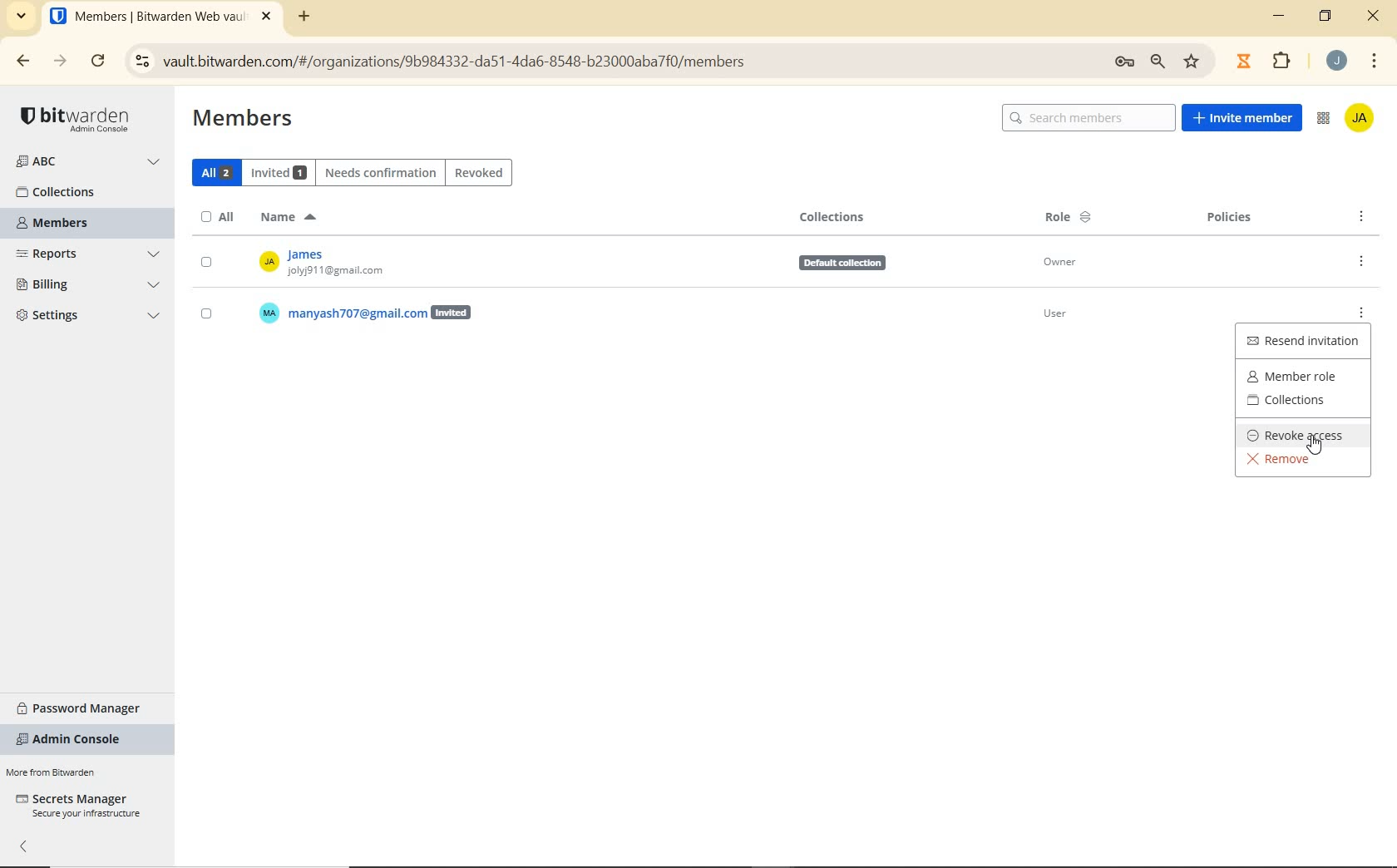 The width and height of the screenshot is (1397, 868). I want to click on ORGANIZATION NAME, so click(90, 162).